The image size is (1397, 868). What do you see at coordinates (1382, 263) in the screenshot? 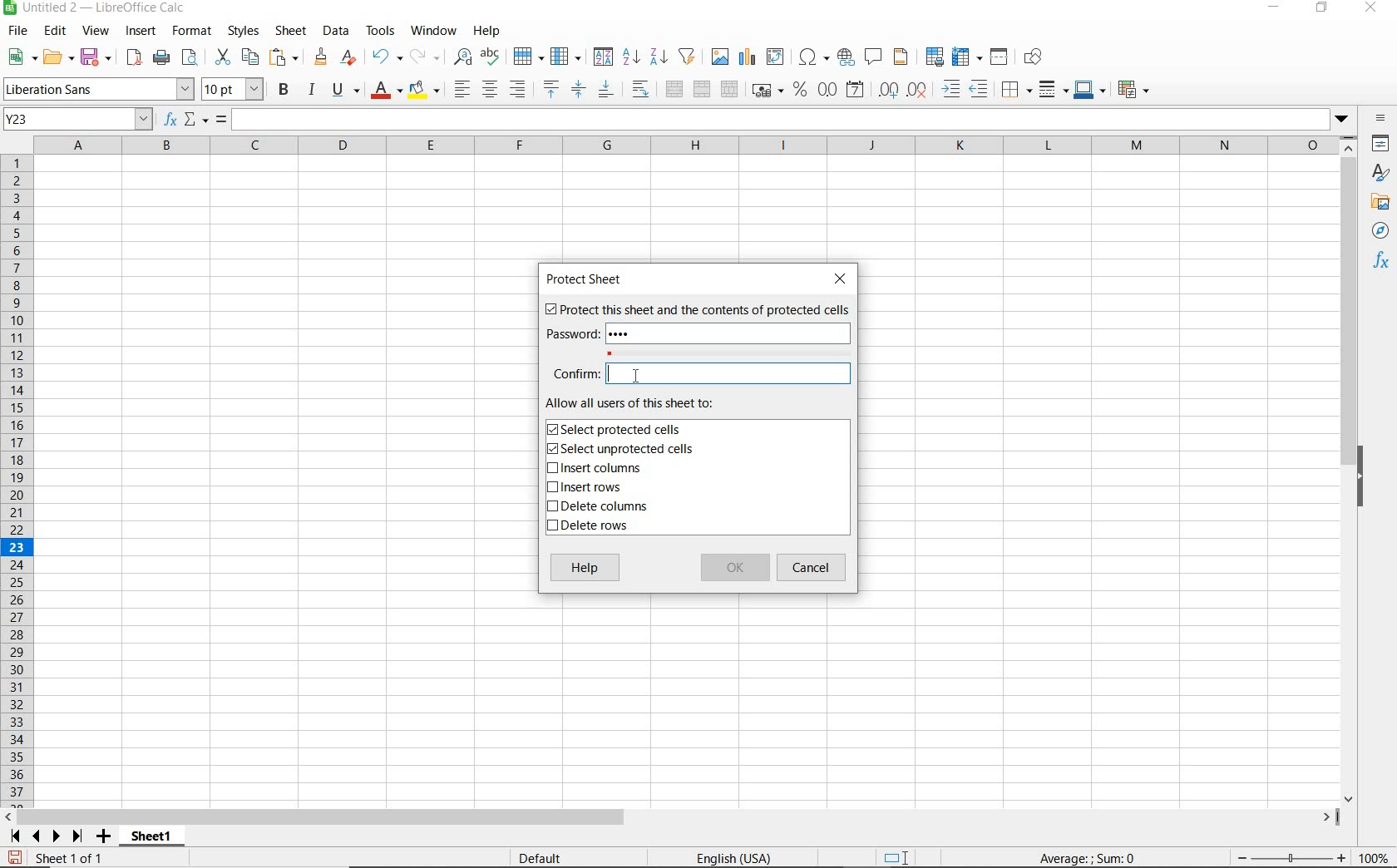
I see `FUNCTIONS` at bounding box center [1382, 263].